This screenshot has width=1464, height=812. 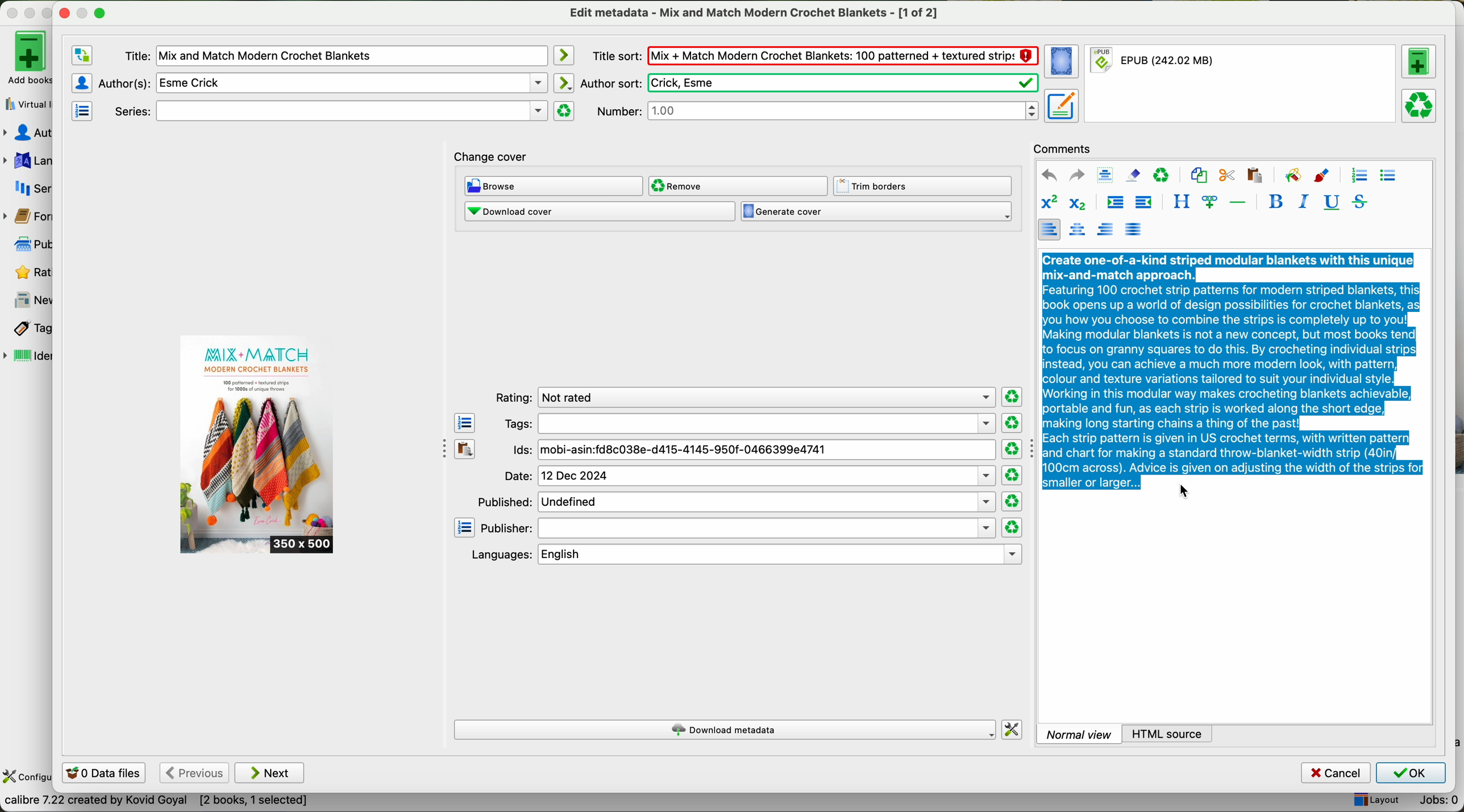 What do you see at coordinates (1114, 204) in the screenshot?
I see `increase indentation` at bounding box center [1114, 204].